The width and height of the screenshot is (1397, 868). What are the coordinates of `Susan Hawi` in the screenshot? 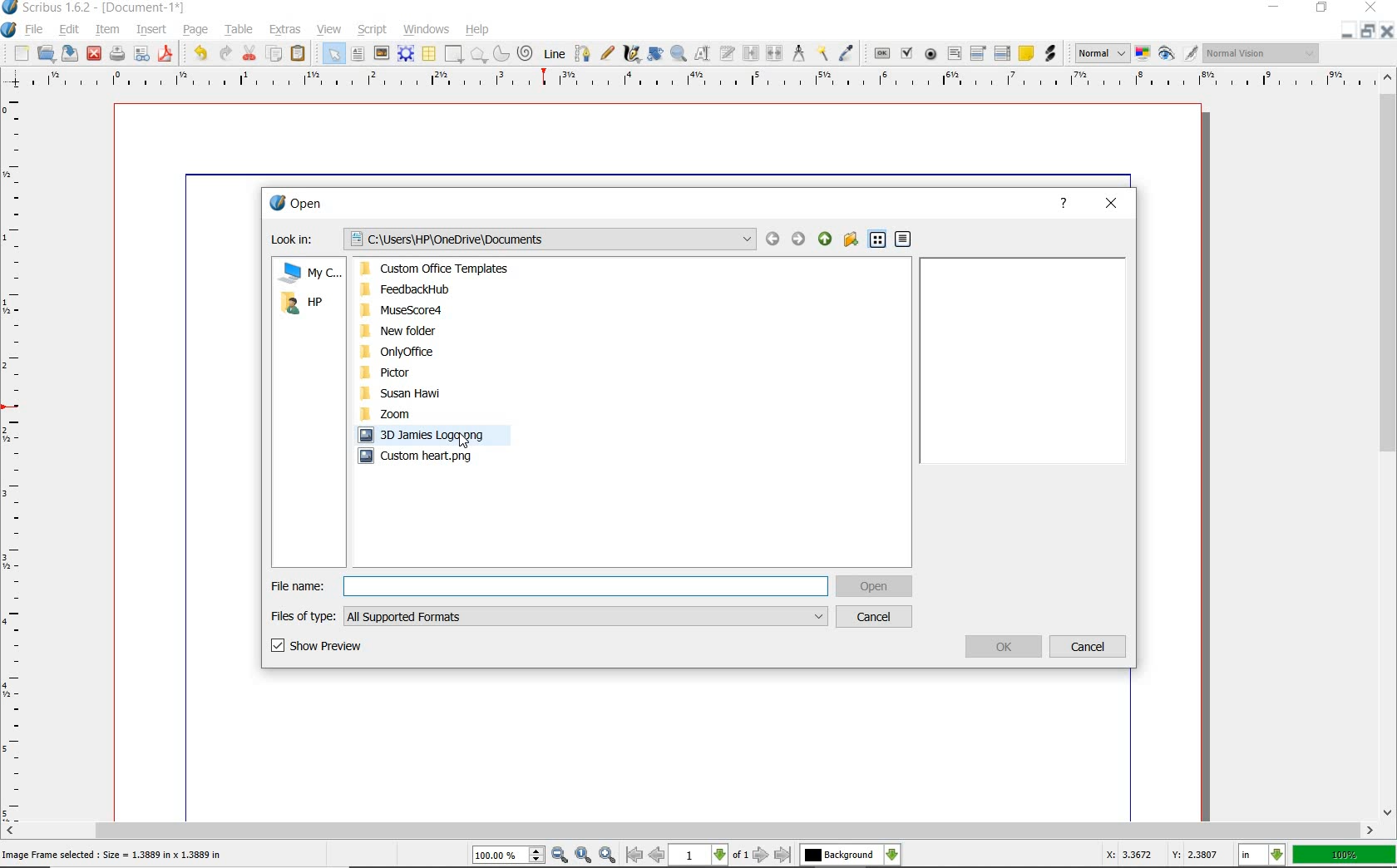 It's located at (441, 394).